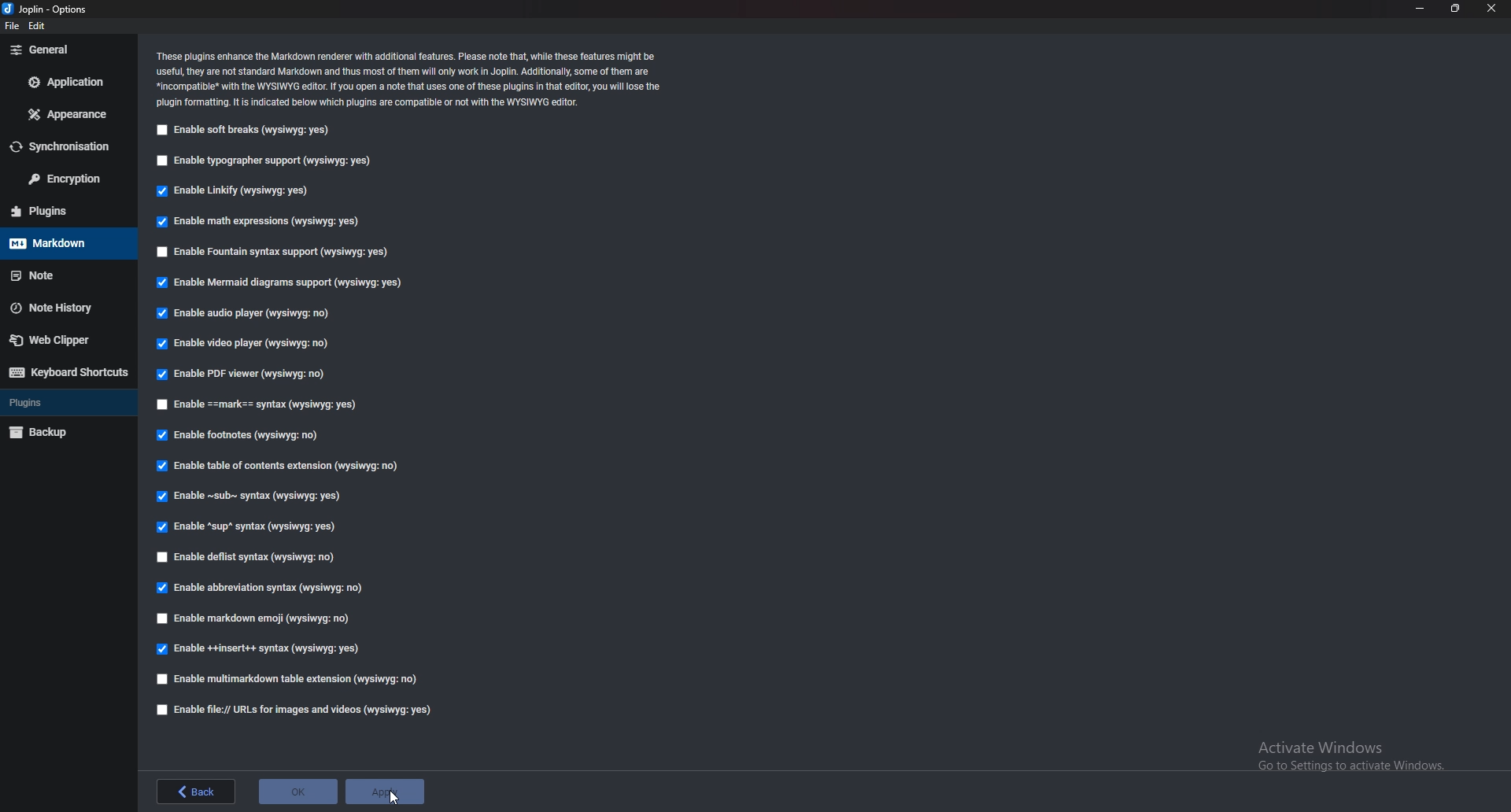 This screenshot has width=1511, height=812. I want to click on note, so click(63, 275).